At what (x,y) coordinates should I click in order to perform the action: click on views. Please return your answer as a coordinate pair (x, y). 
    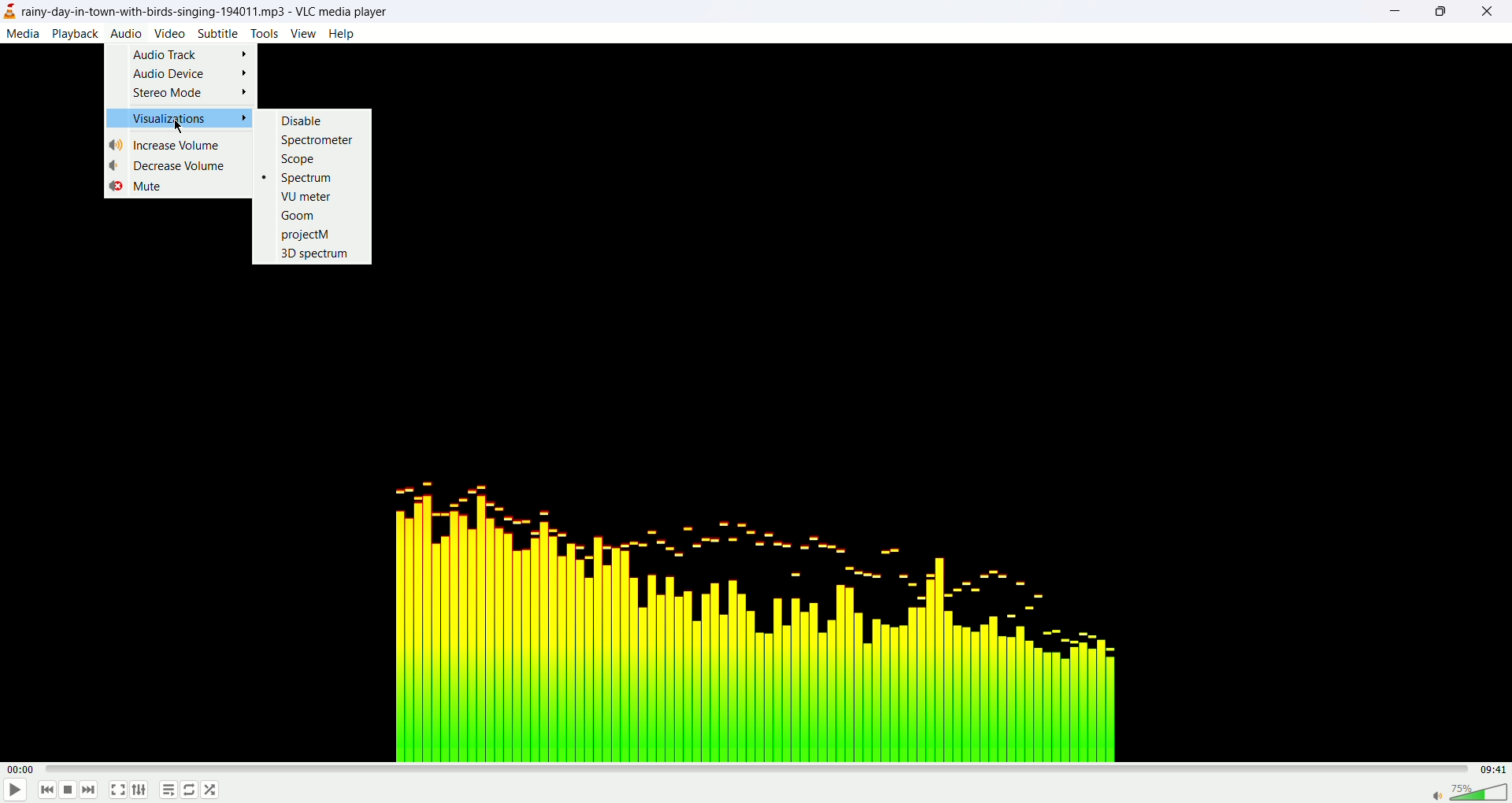
    Looking at the image, I should click on (303, 33).